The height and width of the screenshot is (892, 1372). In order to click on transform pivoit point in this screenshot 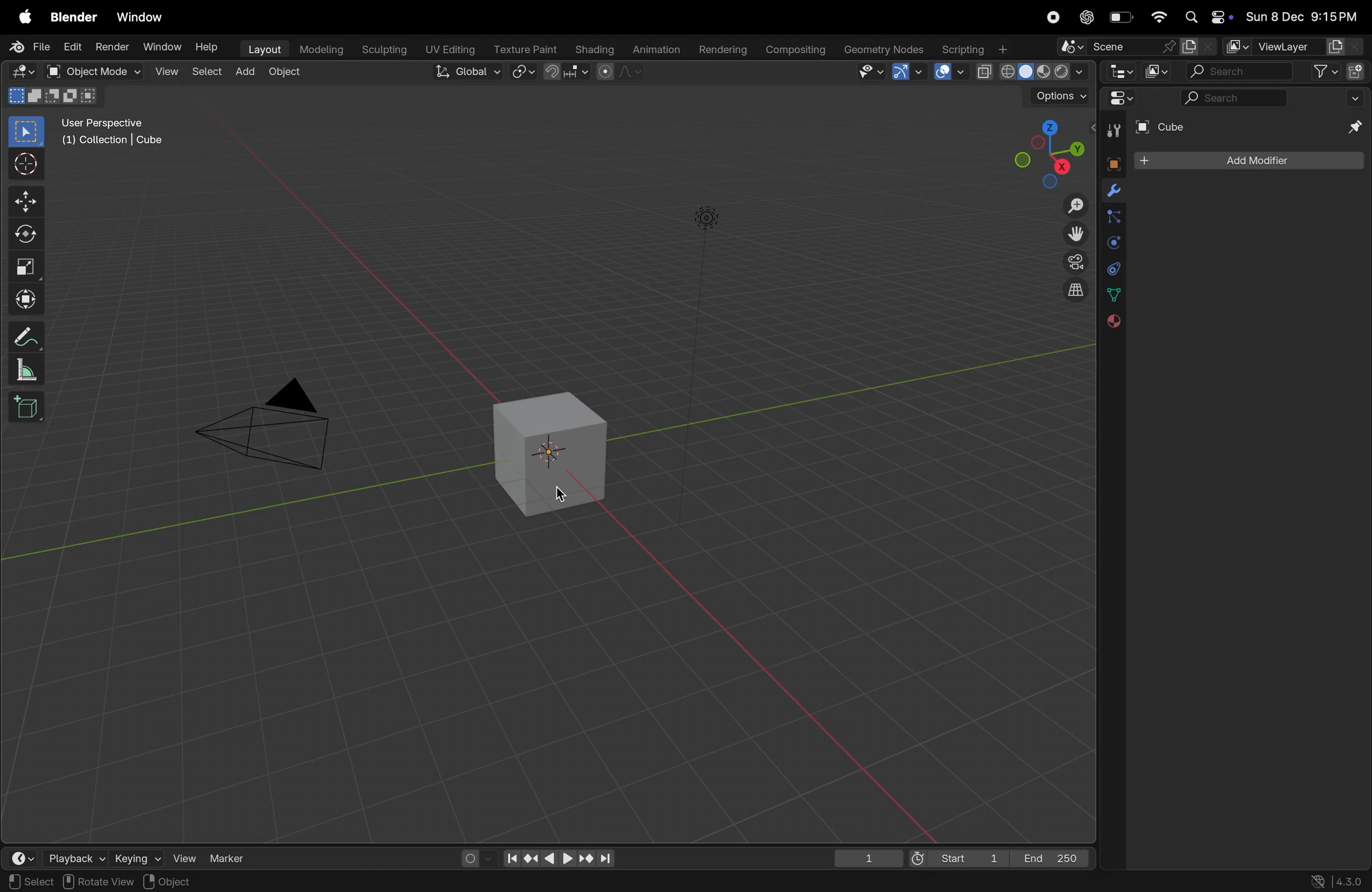, I will do `click(524, 73)`.